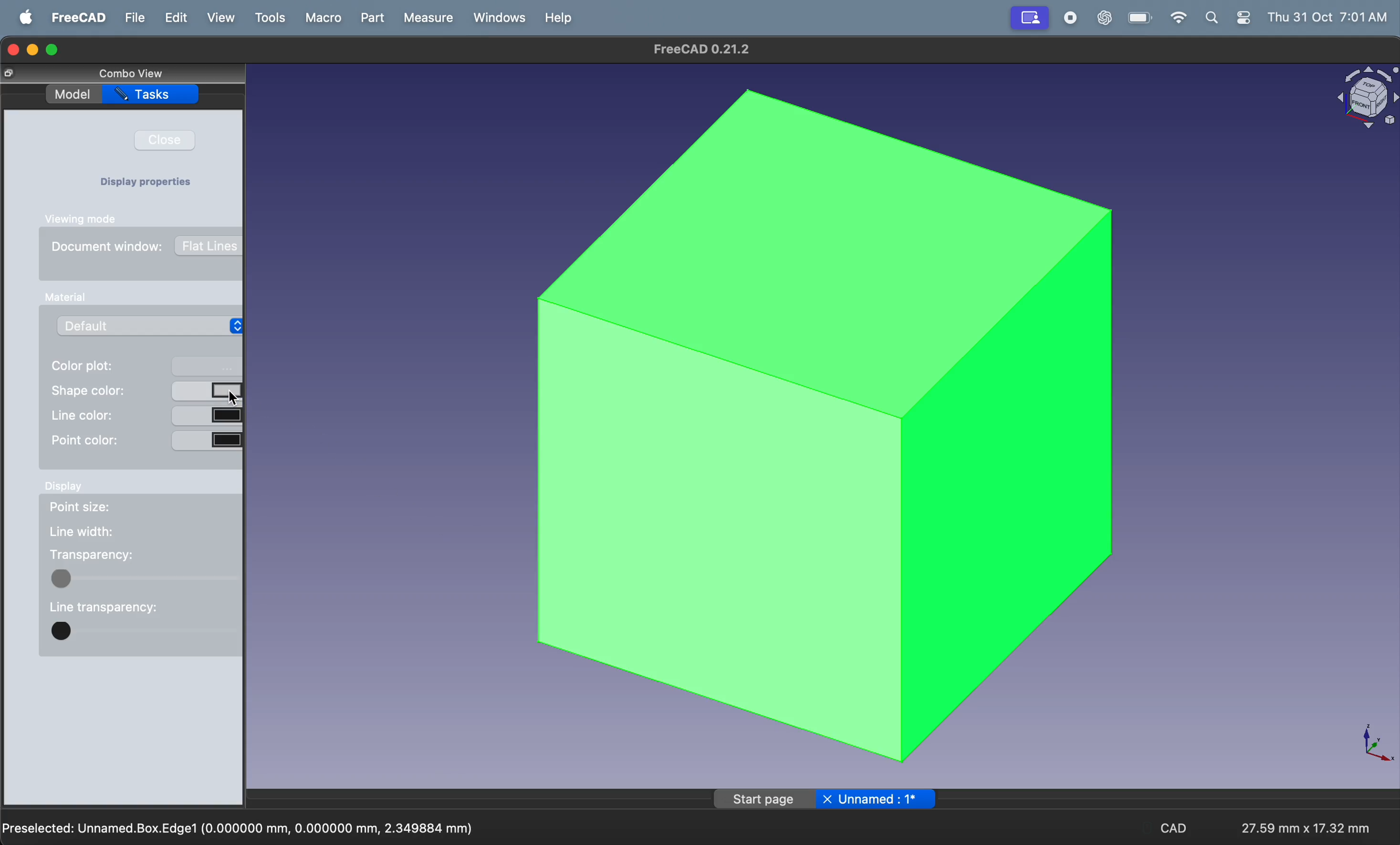 This screenshot has width=1400, height=845. Describe the element at coordinates (145, 440) in the screenshot. I see `point color` at that location.